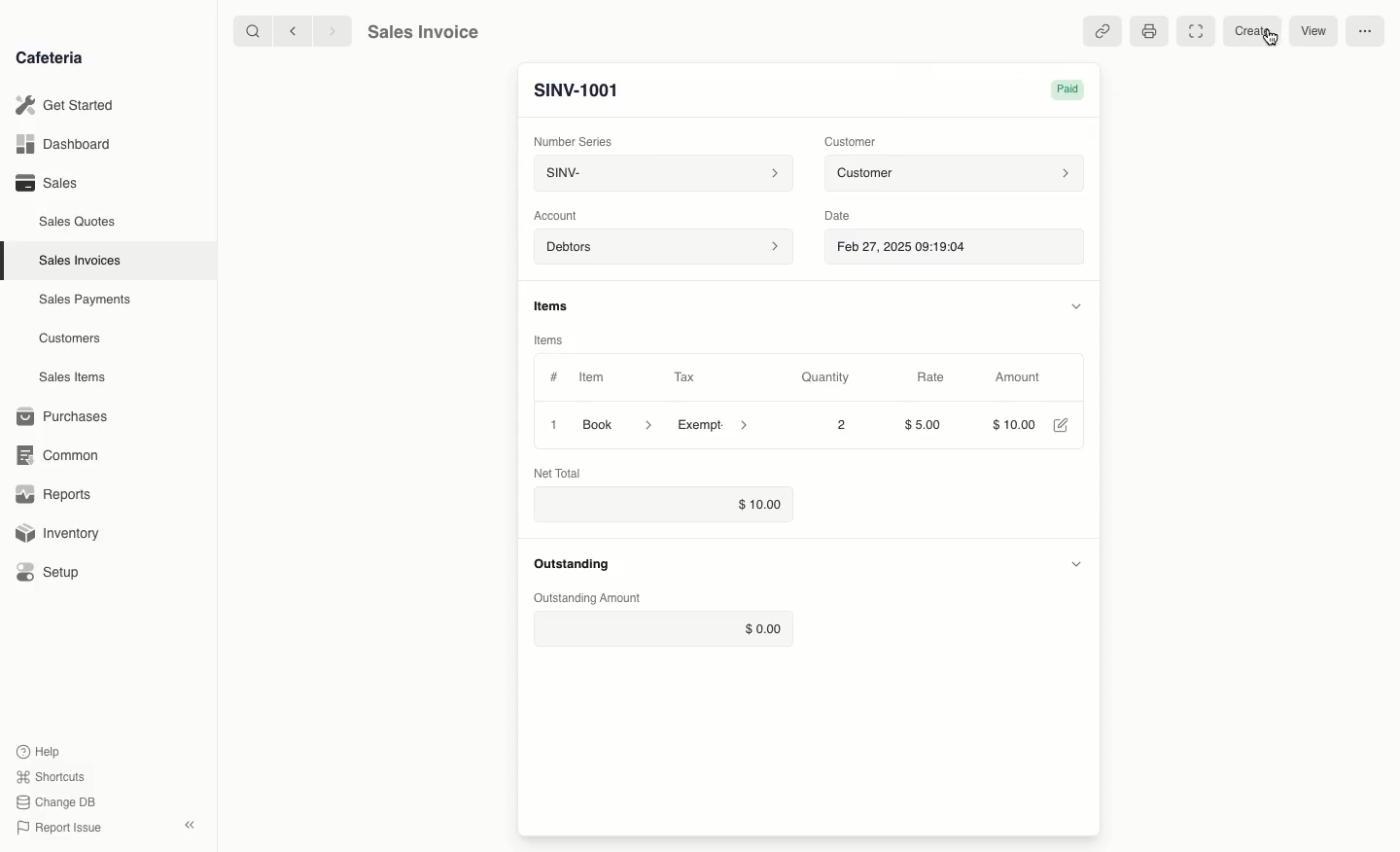 The image size is (1400, 852). I want to click on Cafeteria, so click(49, 58).